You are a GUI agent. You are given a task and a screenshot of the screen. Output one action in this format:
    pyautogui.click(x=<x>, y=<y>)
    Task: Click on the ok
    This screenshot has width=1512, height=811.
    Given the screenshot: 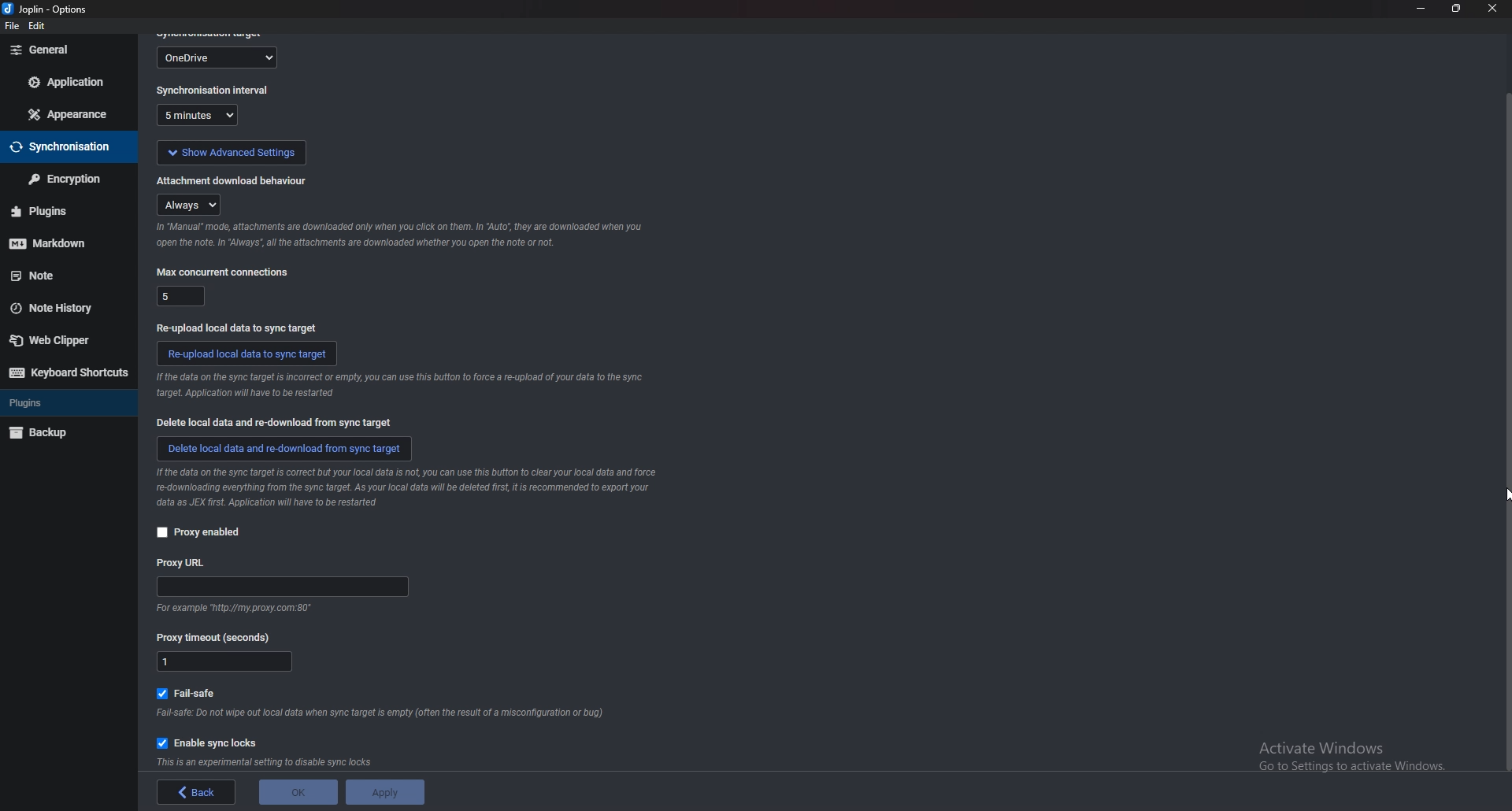 What is the action you would take?
    pyautogui.click(x=296, y=791)
    